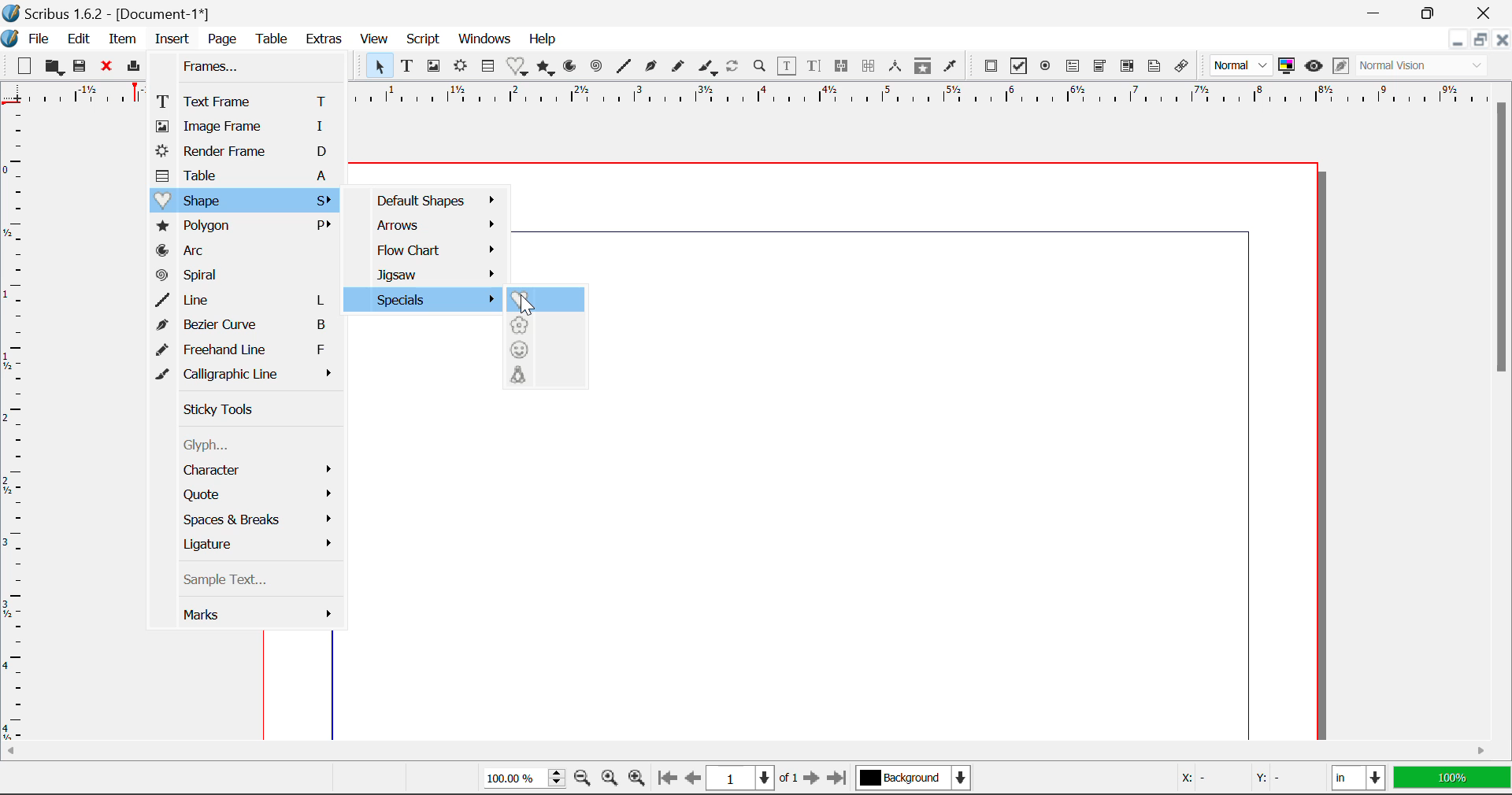 Image resolution: width=1512 pixels, height=795 pixels. What do you see at coordinates (433, 66) in the screenshot?
I see `Image Frames` at bounding box center [433, 66].